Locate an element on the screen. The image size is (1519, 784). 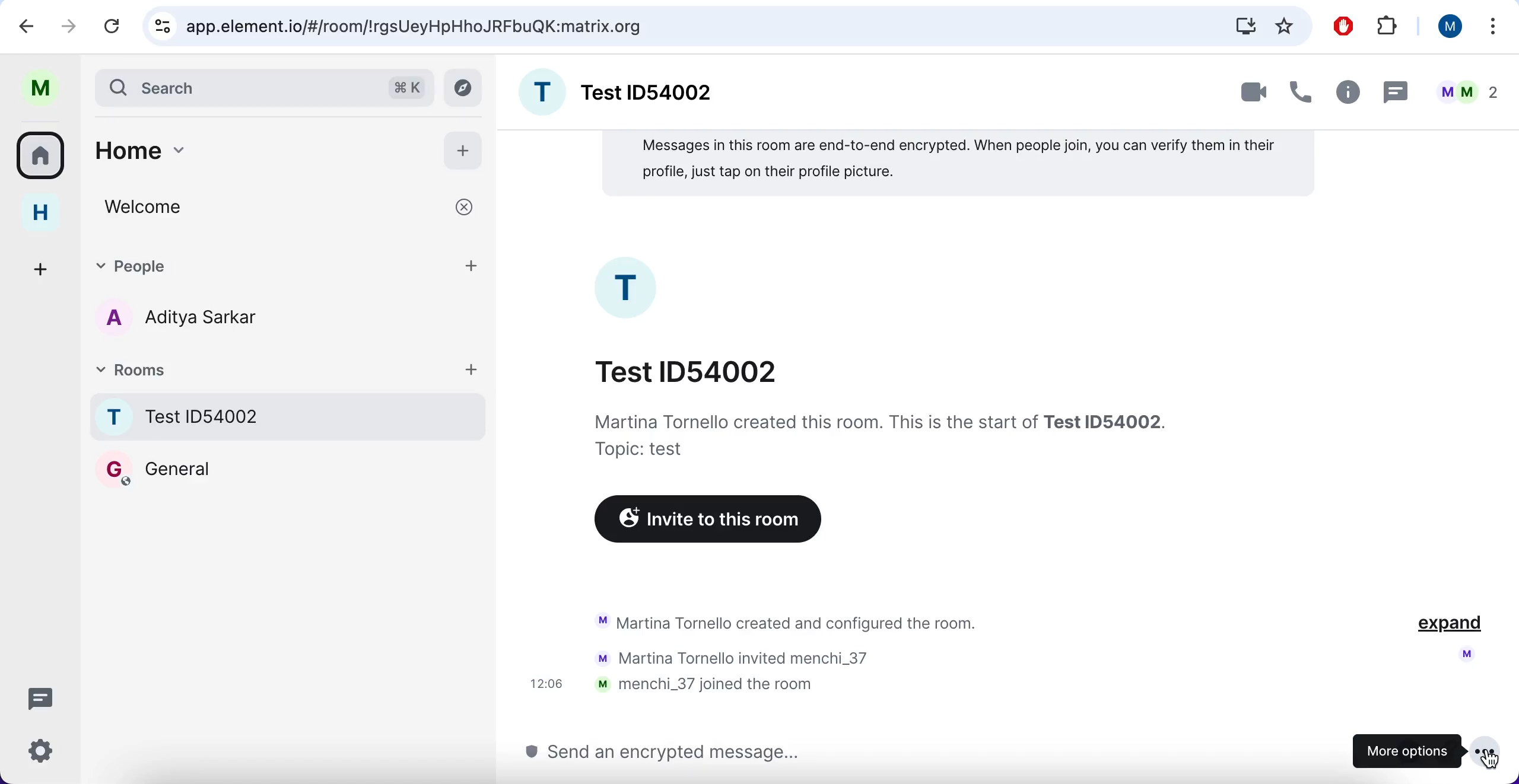
install Matrix is located at coordinates (1245, 26).